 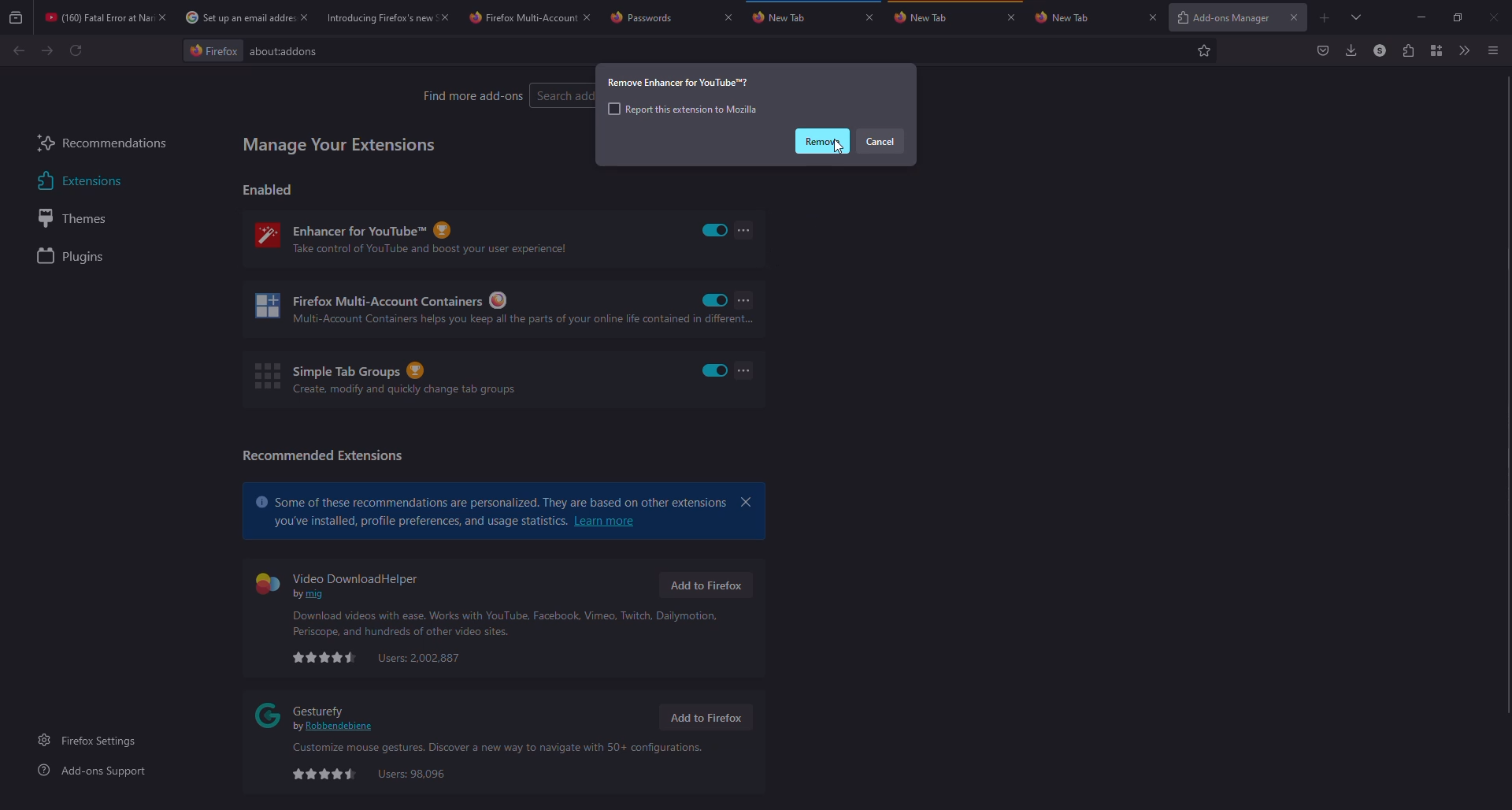 I want to click on Add current page to favorite, so click(x=1204, y=50).